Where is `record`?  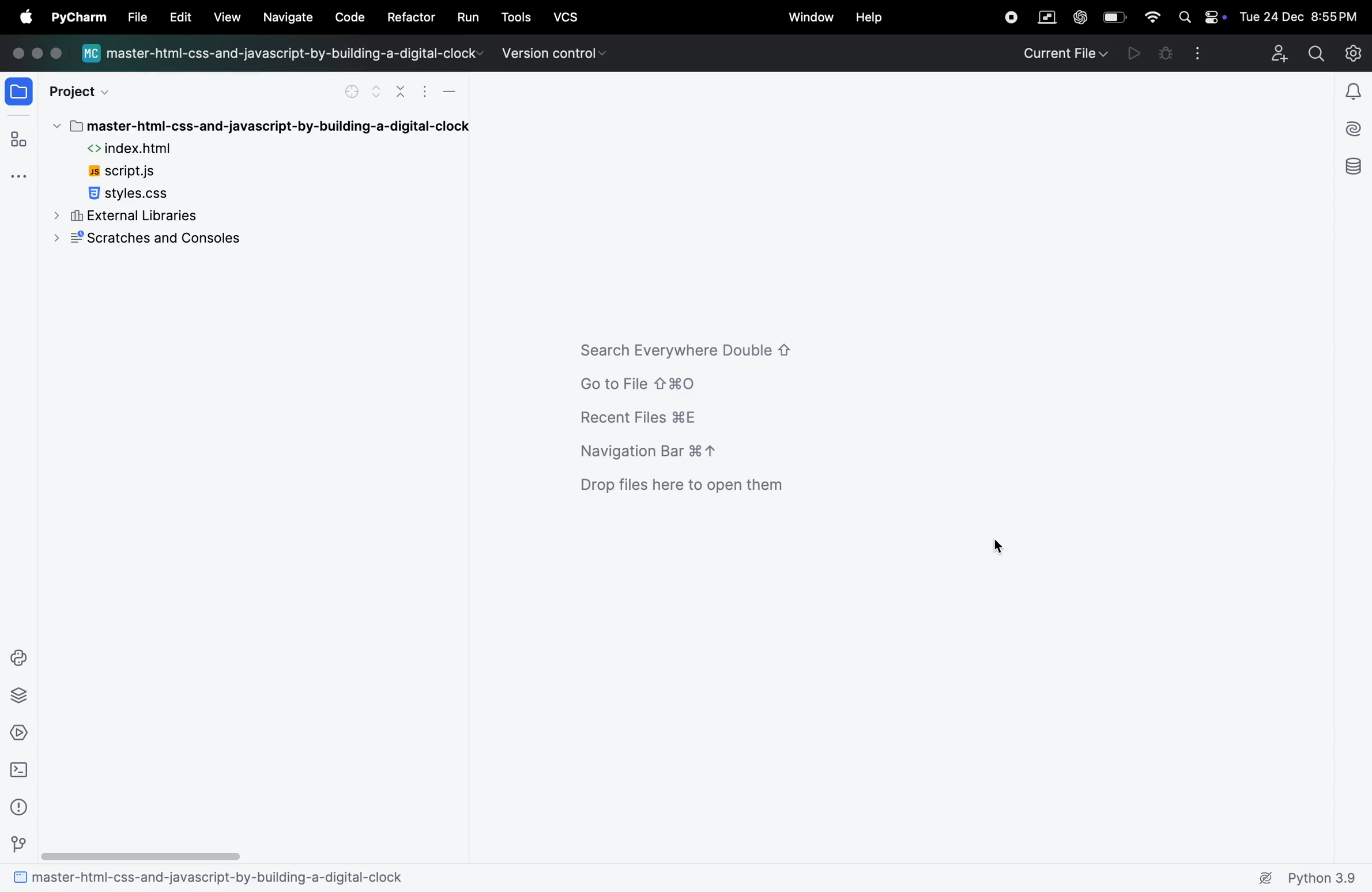 record is located at coordinates (1009, 16).